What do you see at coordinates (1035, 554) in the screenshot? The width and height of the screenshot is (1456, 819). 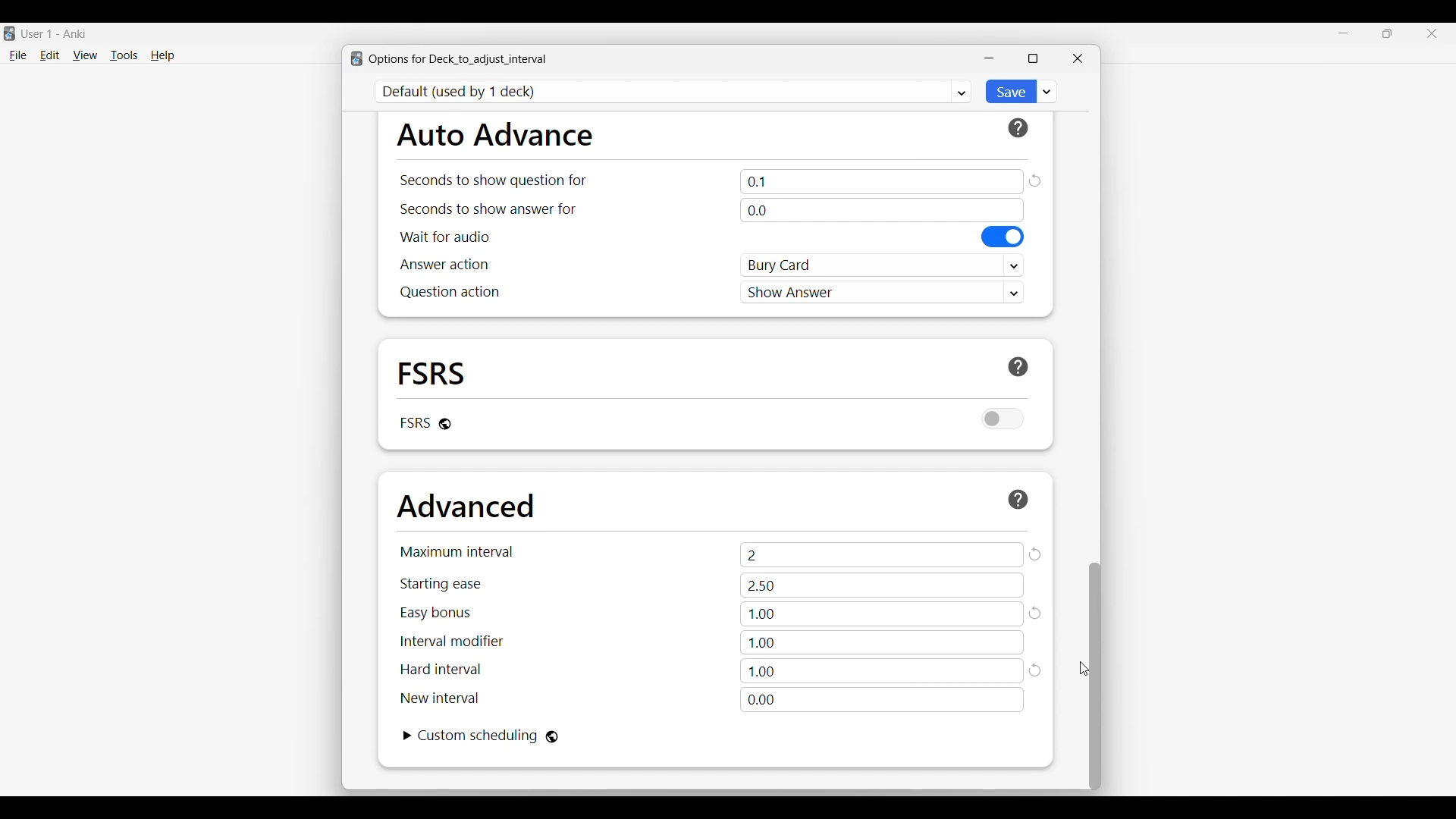 I see `reload` at bounding box center [1035, 554].